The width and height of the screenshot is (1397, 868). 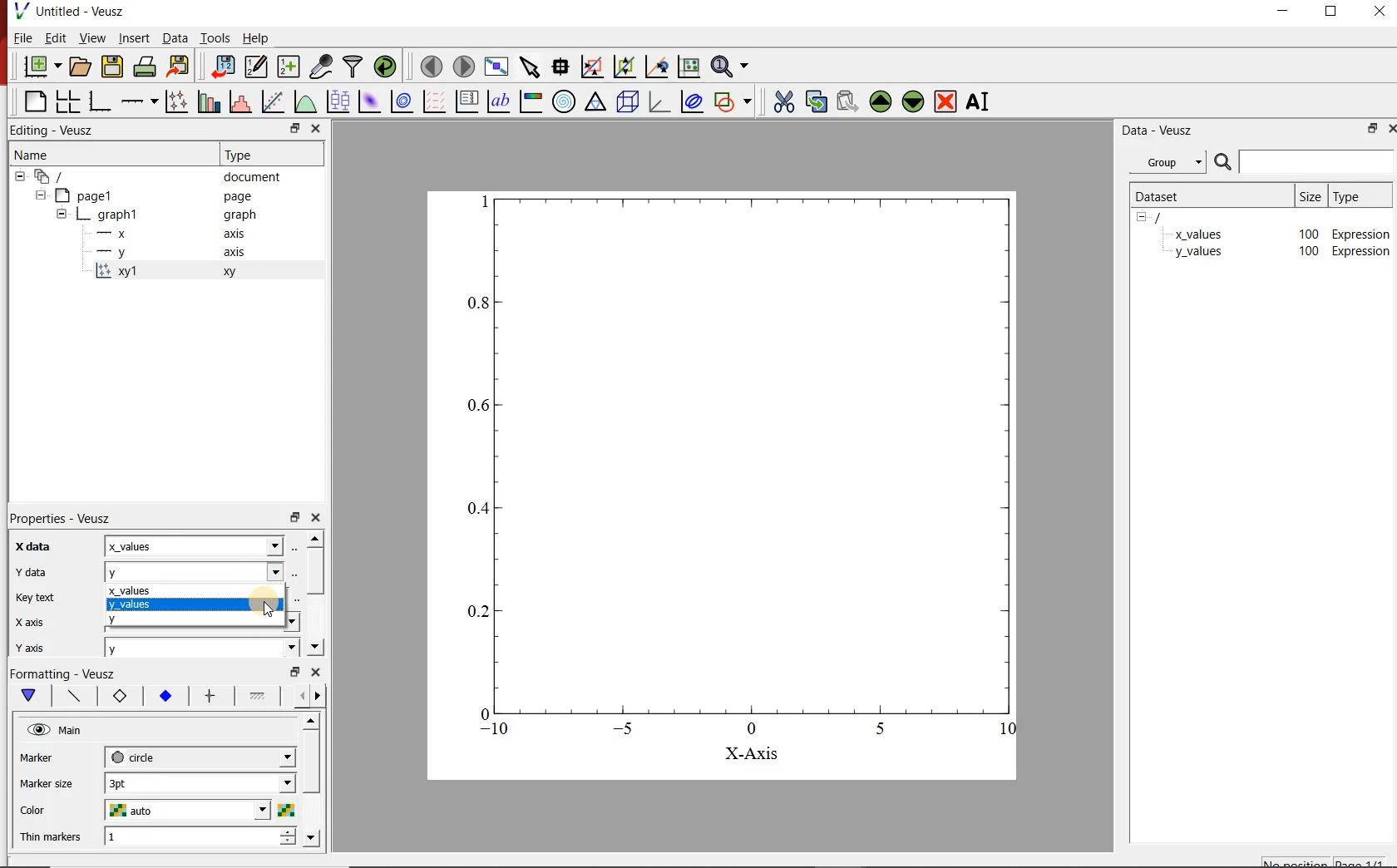 I want to click on move up, so click(x=315, y=539).